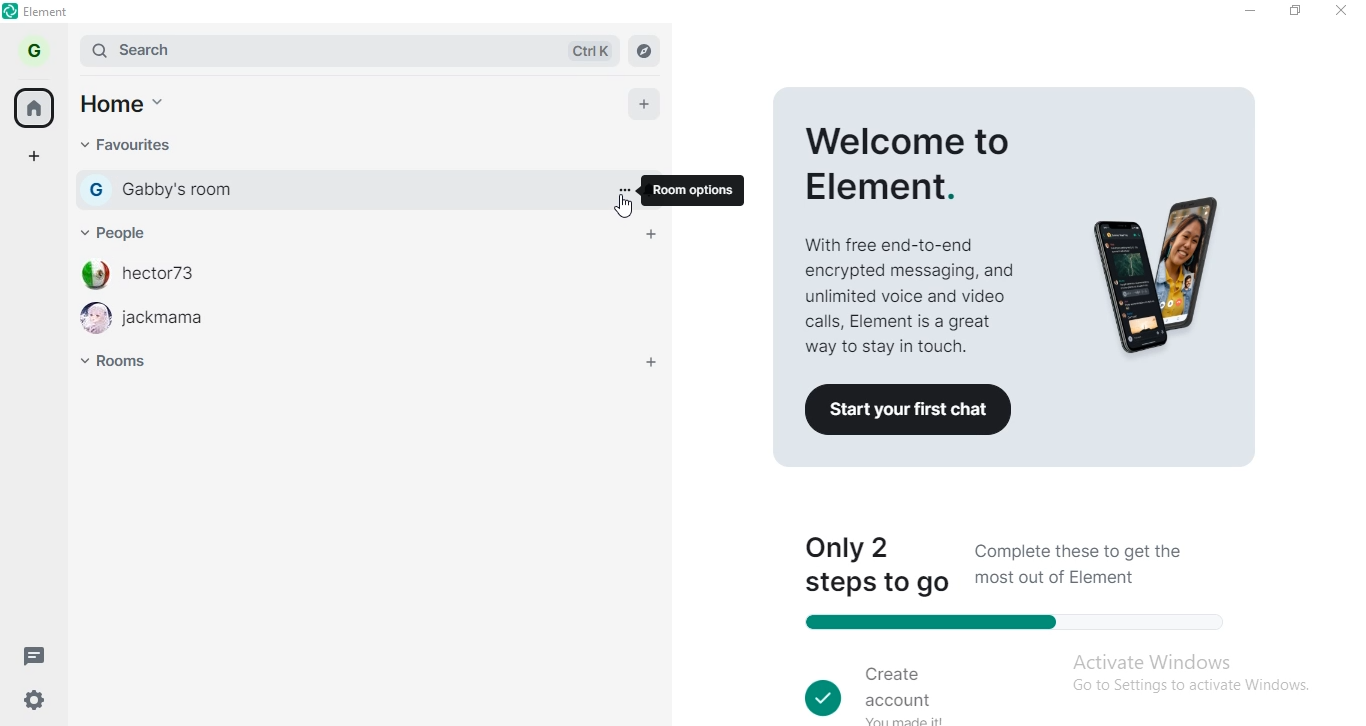 The image size is (1366, 726). I want to click on close, so click(1344, 11).